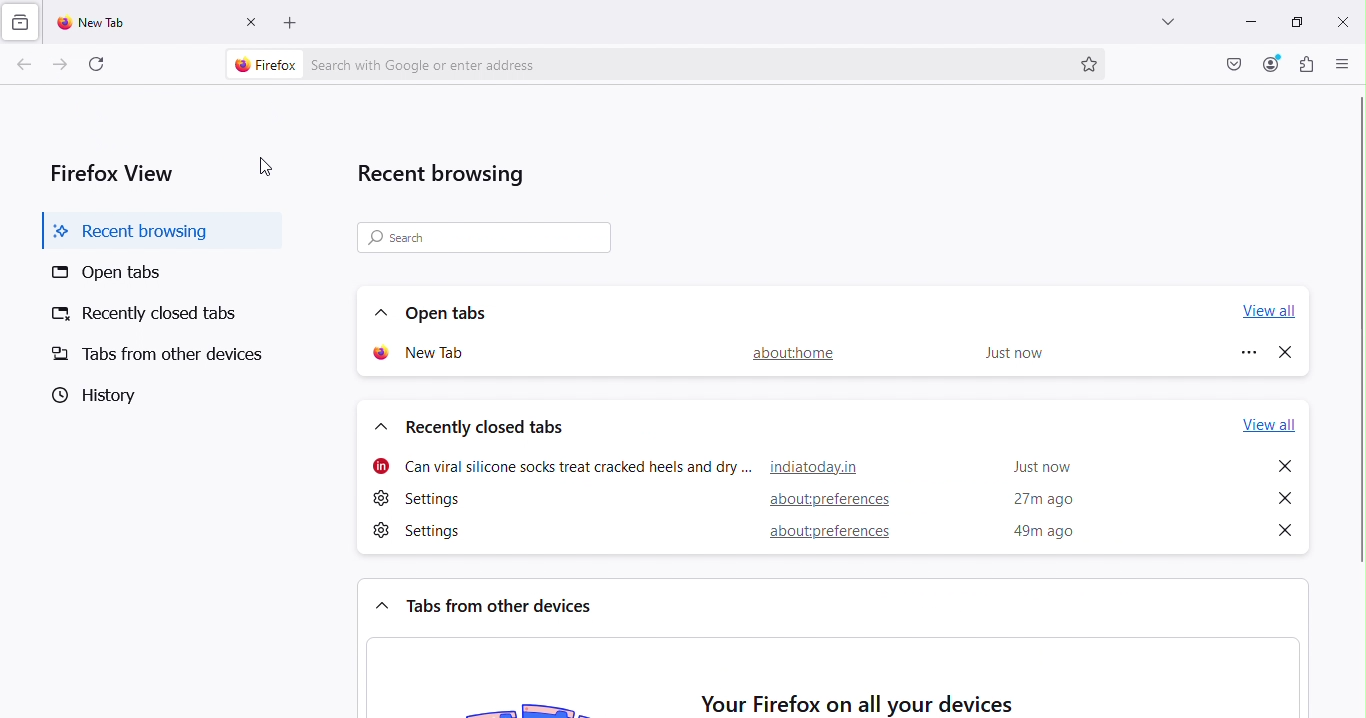 This screenshot has width=1366, height=718. What do you see at coordinates (154, 229) in the screenshot?
I see `Recent browsing` at bounding box center [154, 229].